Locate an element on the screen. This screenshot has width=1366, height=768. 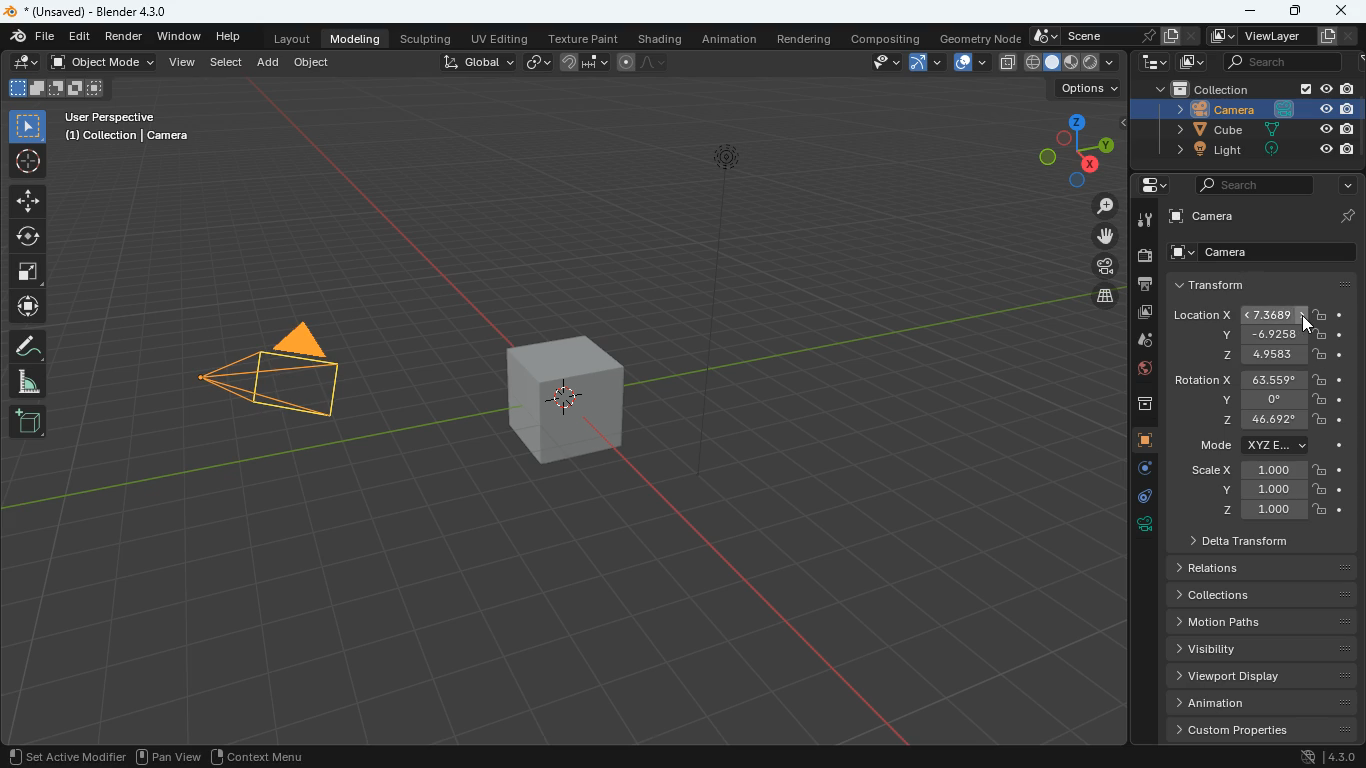
sculpting is located at coordinates (426, 39).